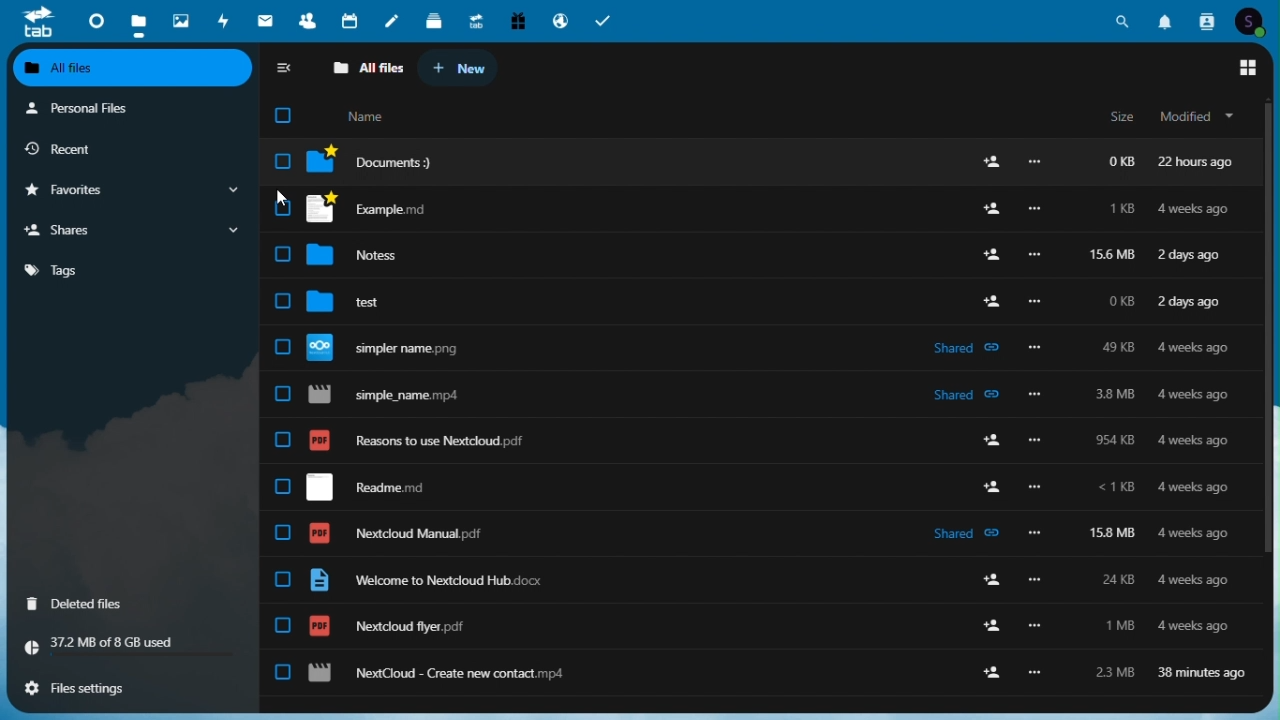  What do you see at coordinates (1116, 301) in the screenshot?
I see `0kb` at bounding box center [1116, 301].